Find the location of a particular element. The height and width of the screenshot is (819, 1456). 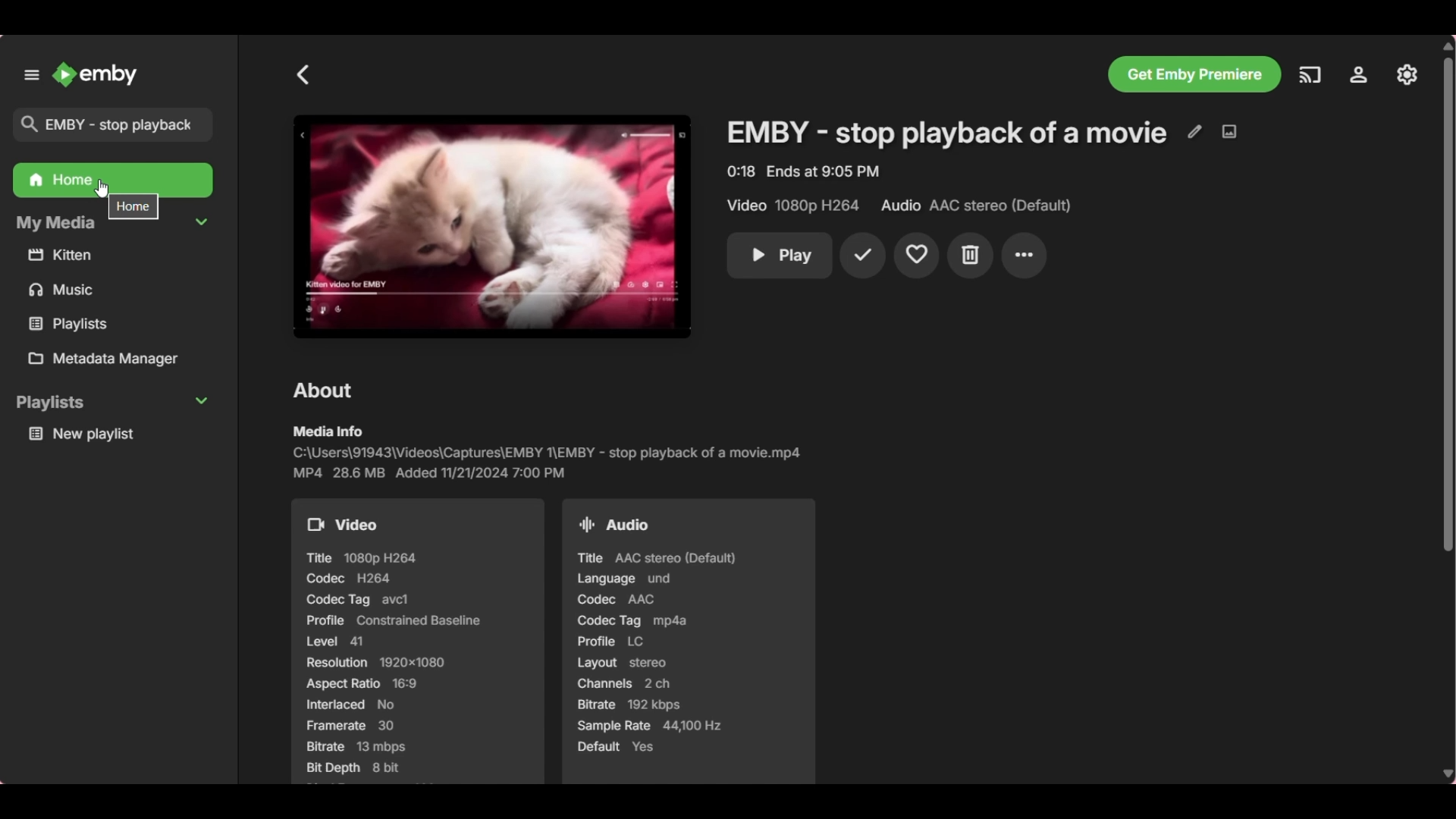

Delete is located at coordinates (971, 256).